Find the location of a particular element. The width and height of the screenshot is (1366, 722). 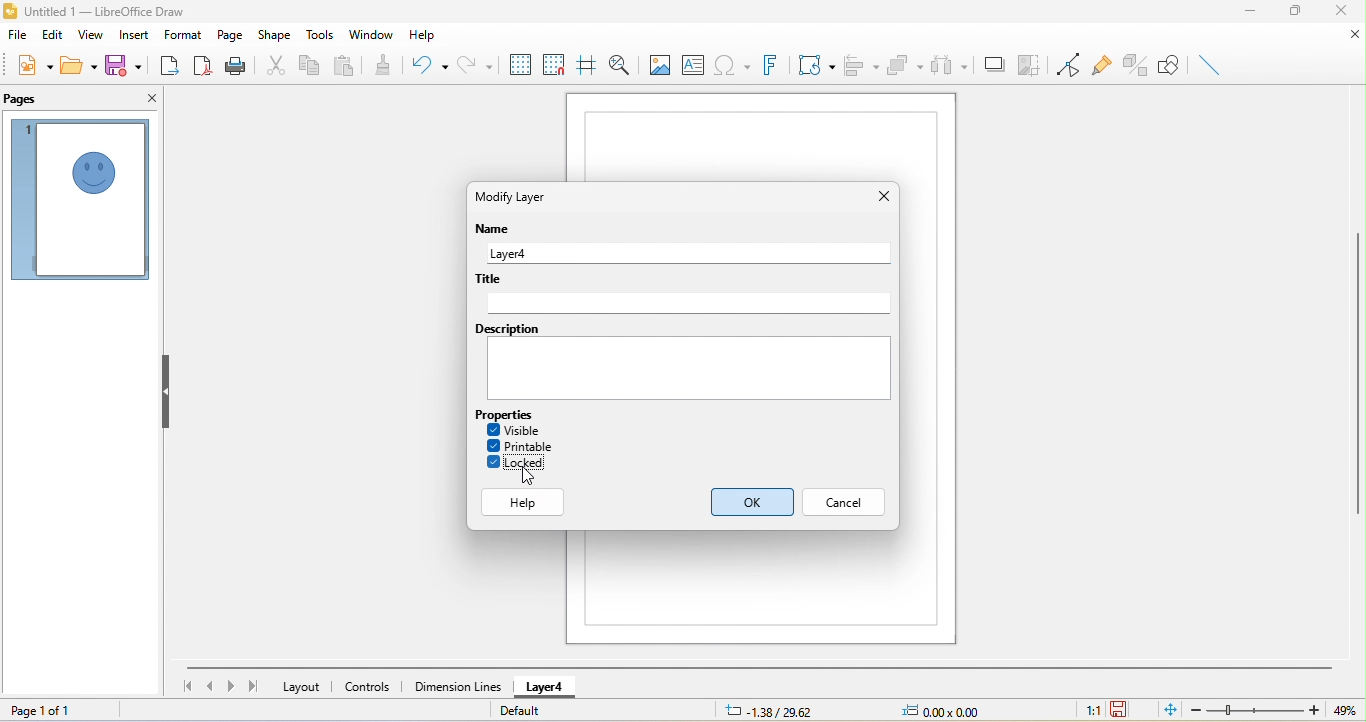

layer4 is located at coordinates (686, 254).